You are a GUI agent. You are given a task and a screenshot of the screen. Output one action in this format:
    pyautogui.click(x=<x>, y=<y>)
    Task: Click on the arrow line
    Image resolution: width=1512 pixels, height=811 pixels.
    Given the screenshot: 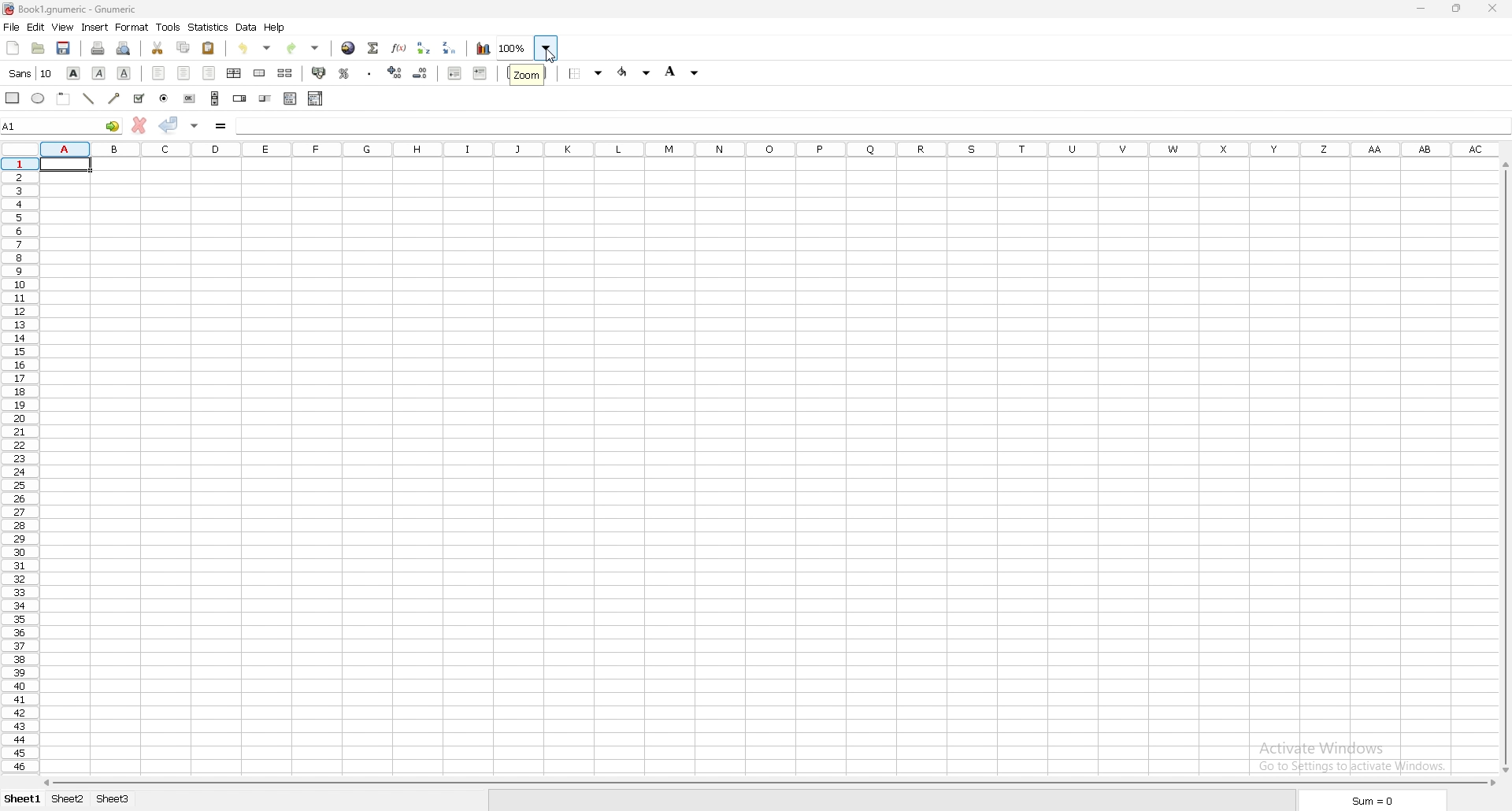 What is the action you would take?
    pyautogui.click(x=114, y=98)
    